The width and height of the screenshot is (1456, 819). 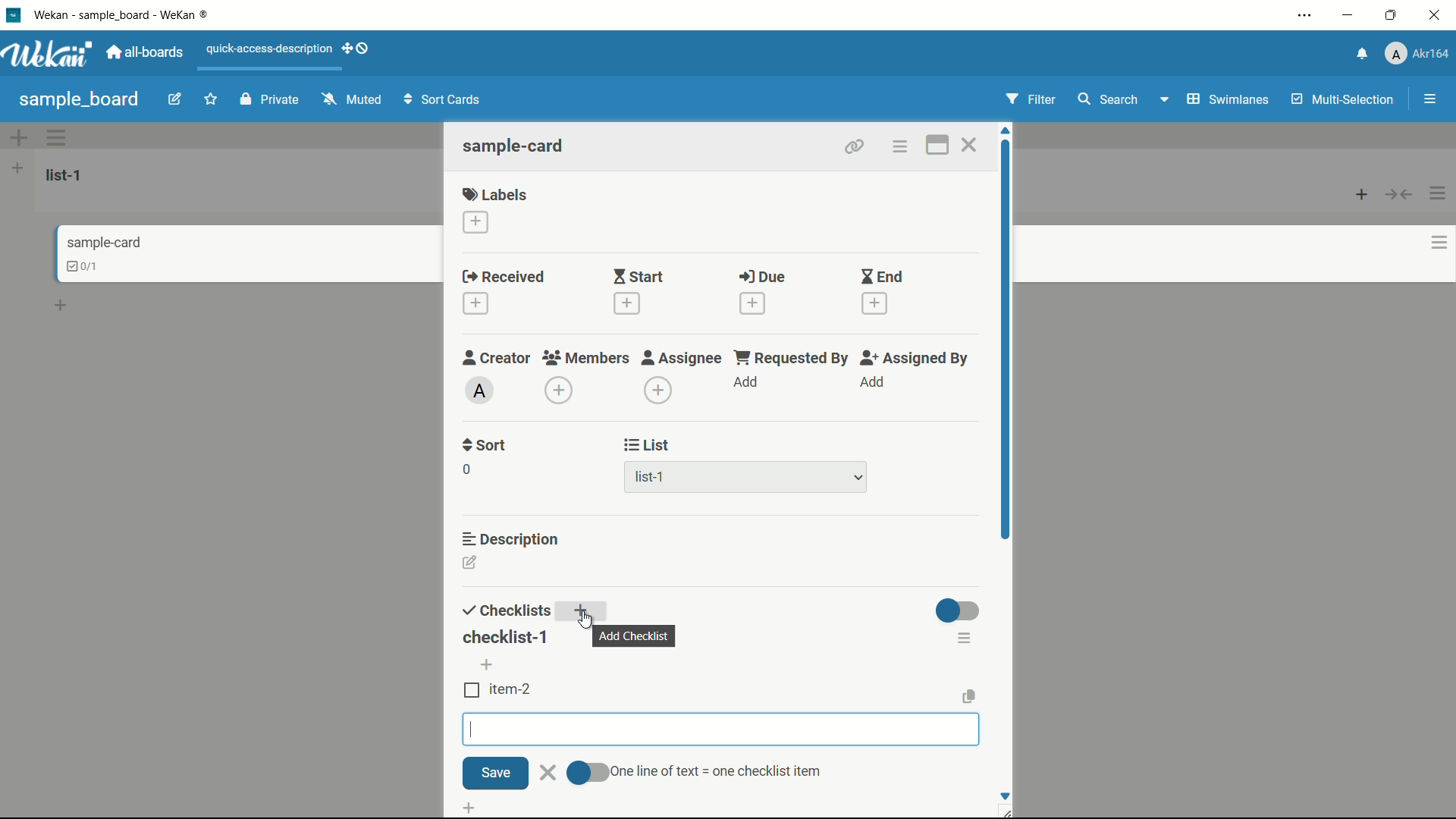 I want to click on add checklist, so click(x=472, y=806).